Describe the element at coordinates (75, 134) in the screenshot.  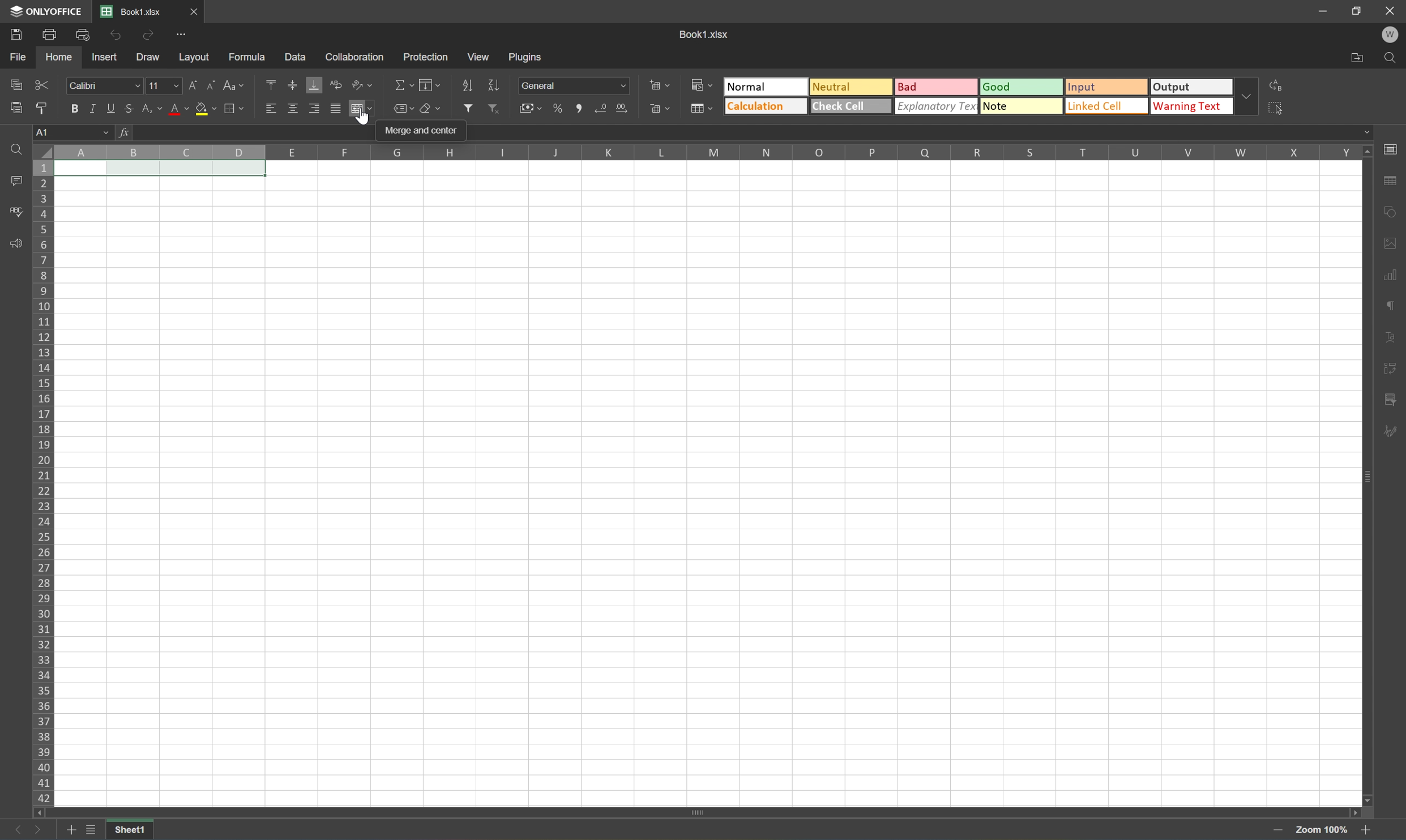
I see `1R×4C` at that location.